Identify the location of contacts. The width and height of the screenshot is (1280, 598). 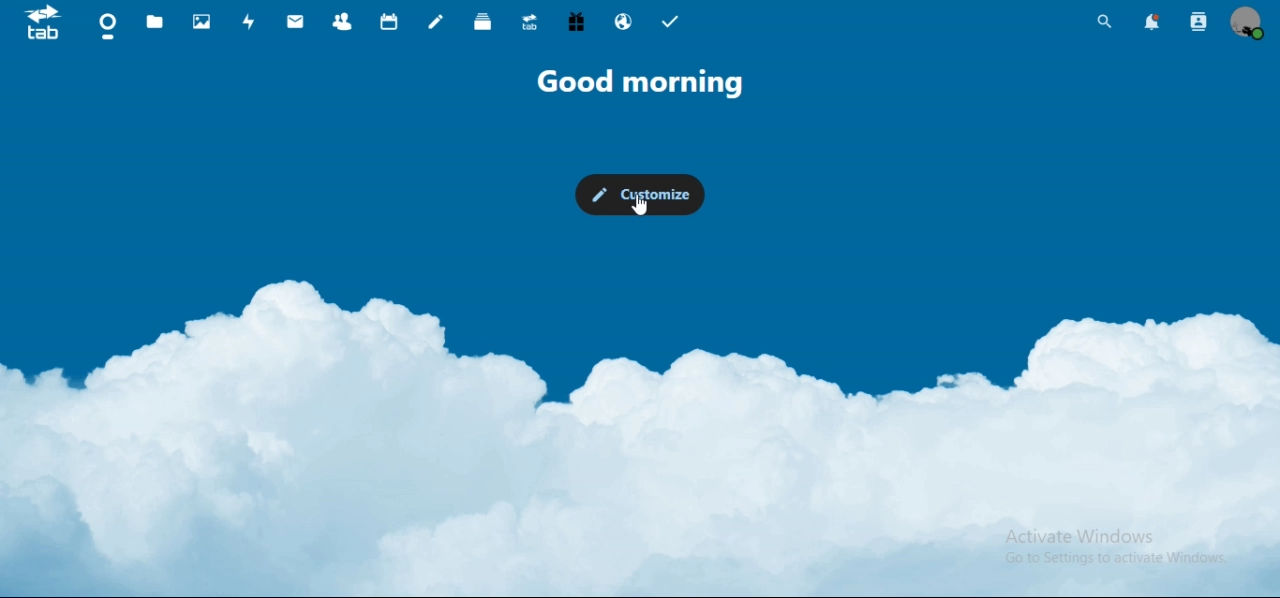
(342, 21).